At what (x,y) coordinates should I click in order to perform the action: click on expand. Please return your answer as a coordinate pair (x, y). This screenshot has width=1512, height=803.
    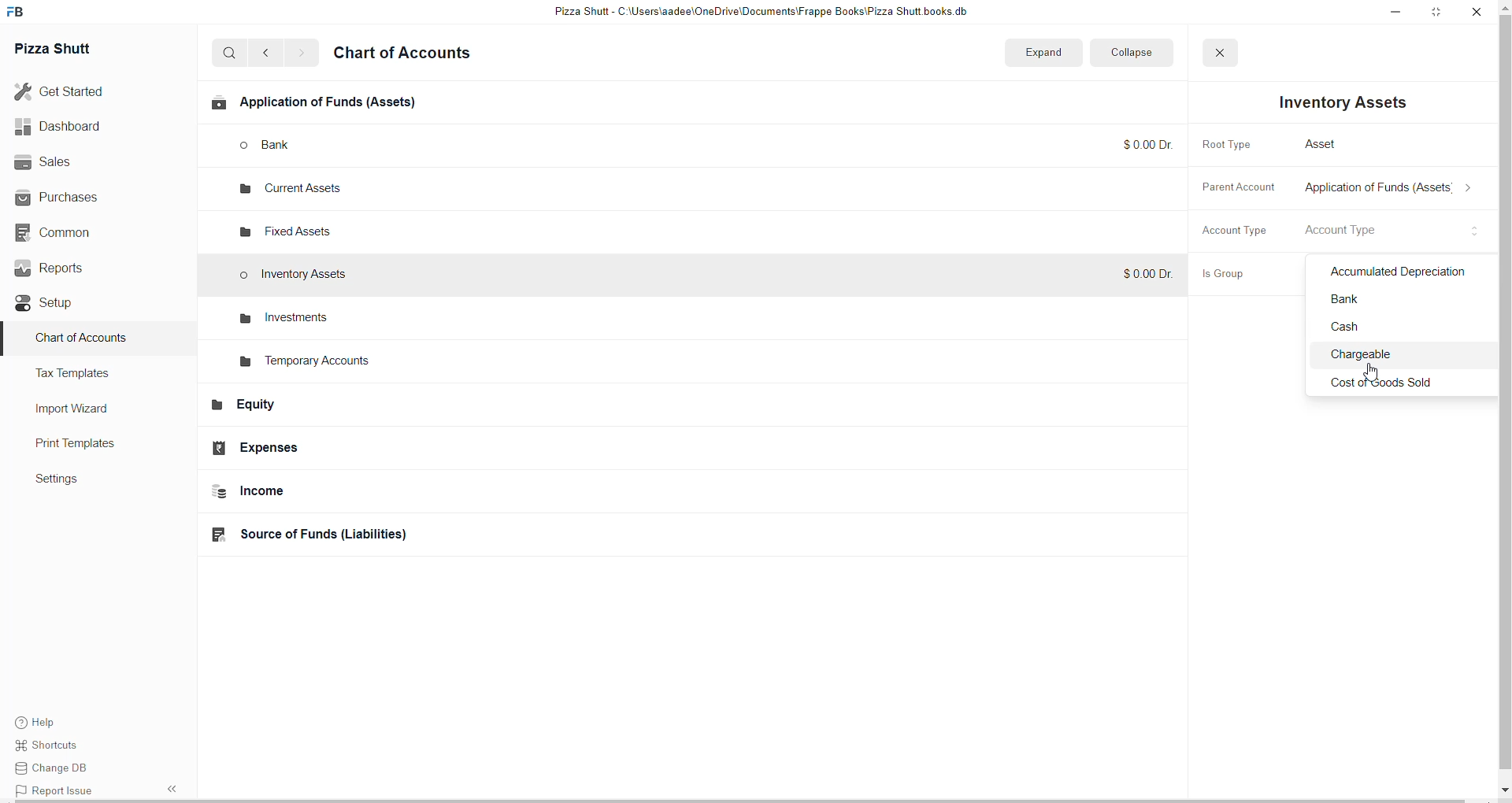
    Looking at the image, I should click on (1058, 51).